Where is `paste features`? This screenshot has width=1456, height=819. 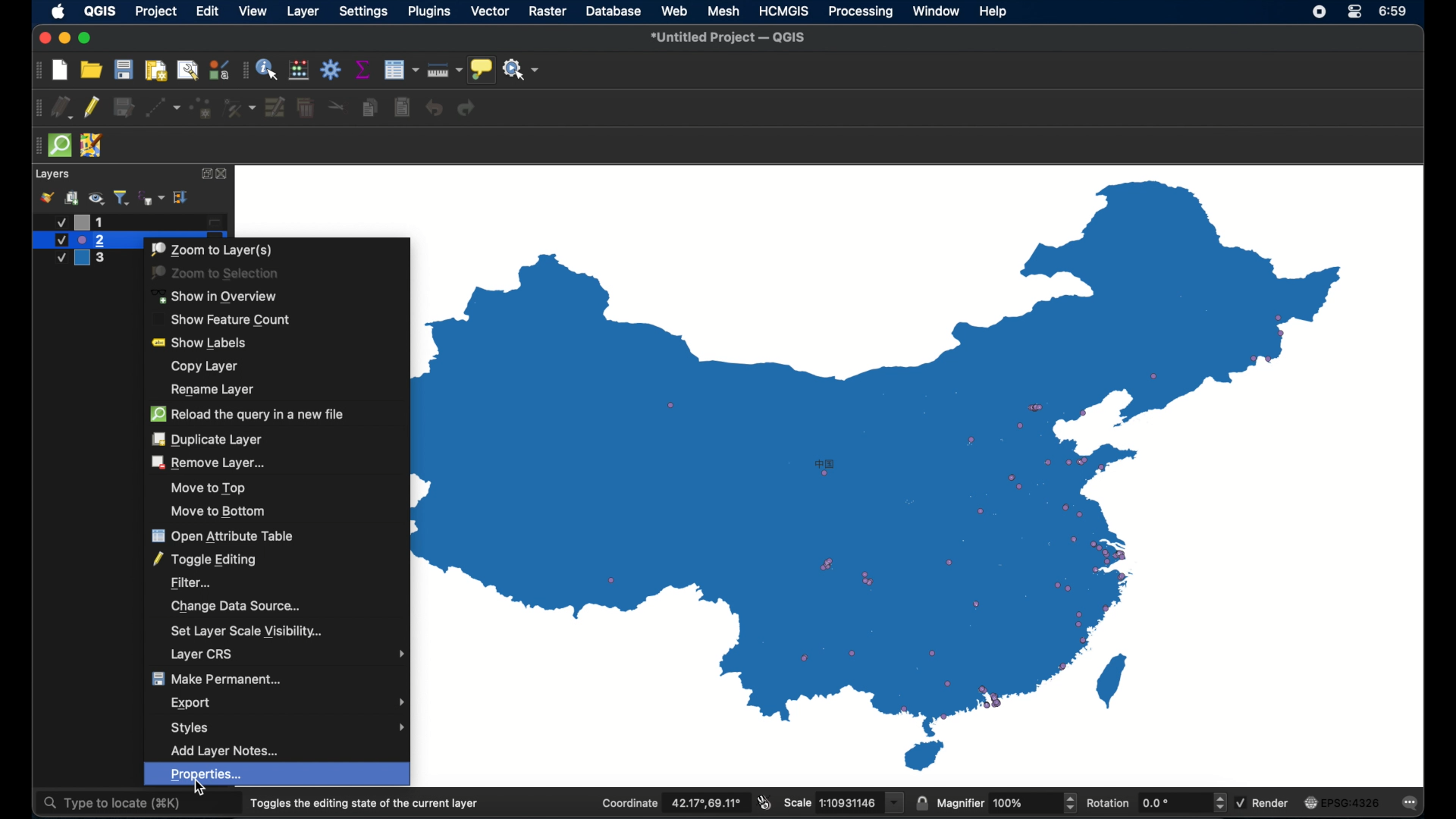 paste features is located at coordinates (403, 108).